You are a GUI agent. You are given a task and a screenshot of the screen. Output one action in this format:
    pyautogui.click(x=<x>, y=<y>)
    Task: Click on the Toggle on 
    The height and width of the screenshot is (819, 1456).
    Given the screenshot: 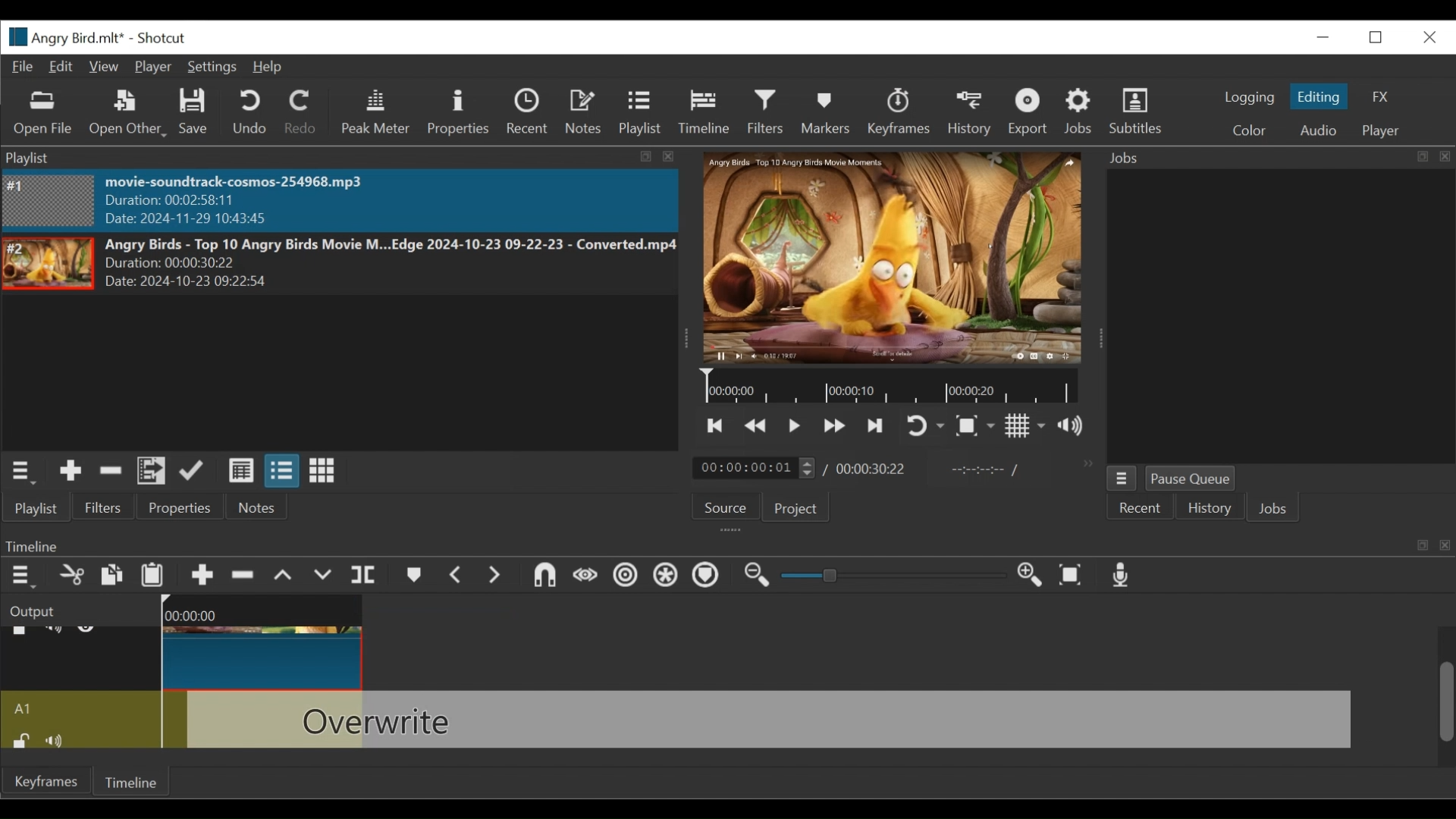 What is the action you would take?
    pyautogui.click(x=927, y=425)
    